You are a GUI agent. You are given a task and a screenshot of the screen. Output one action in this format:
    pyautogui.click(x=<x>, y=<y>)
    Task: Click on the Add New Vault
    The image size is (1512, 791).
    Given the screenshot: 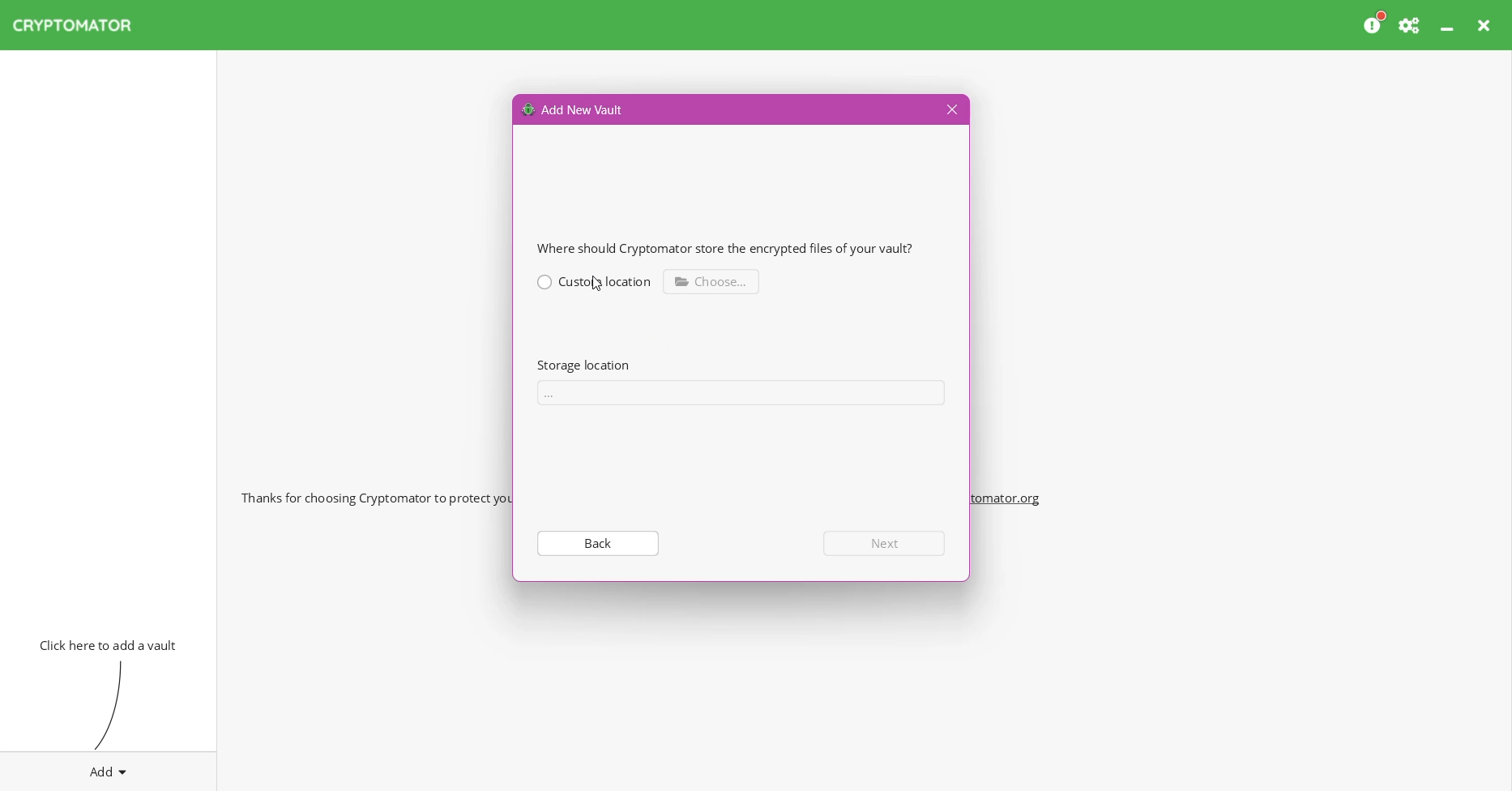 What is the action you would take?
    pyautogui.click(x=574, y=109)
    